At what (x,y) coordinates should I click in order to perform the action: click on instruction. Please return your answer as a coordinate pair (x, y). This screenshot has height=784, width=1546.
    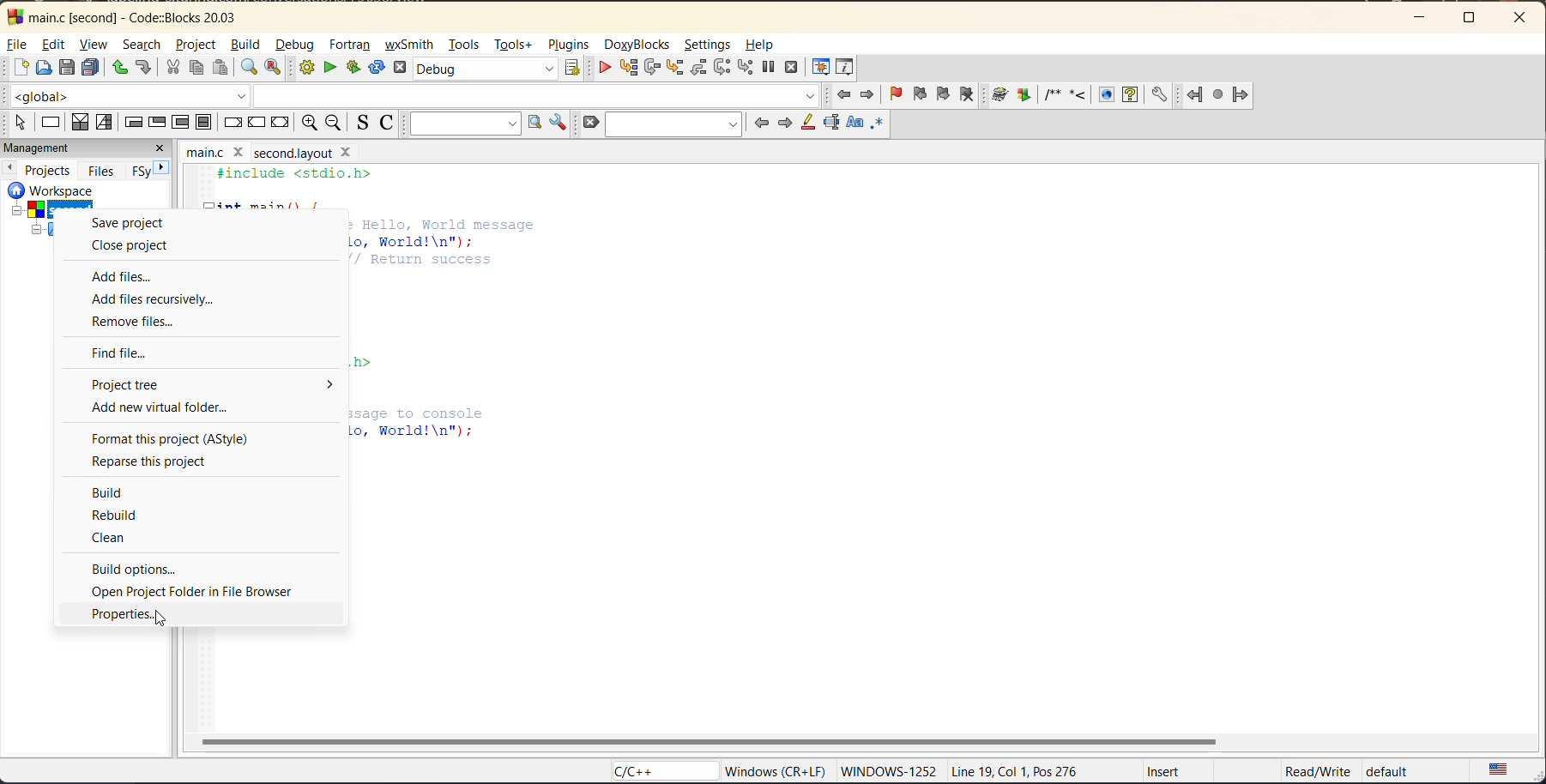
    Looking at the image, I should click on (53, 124).